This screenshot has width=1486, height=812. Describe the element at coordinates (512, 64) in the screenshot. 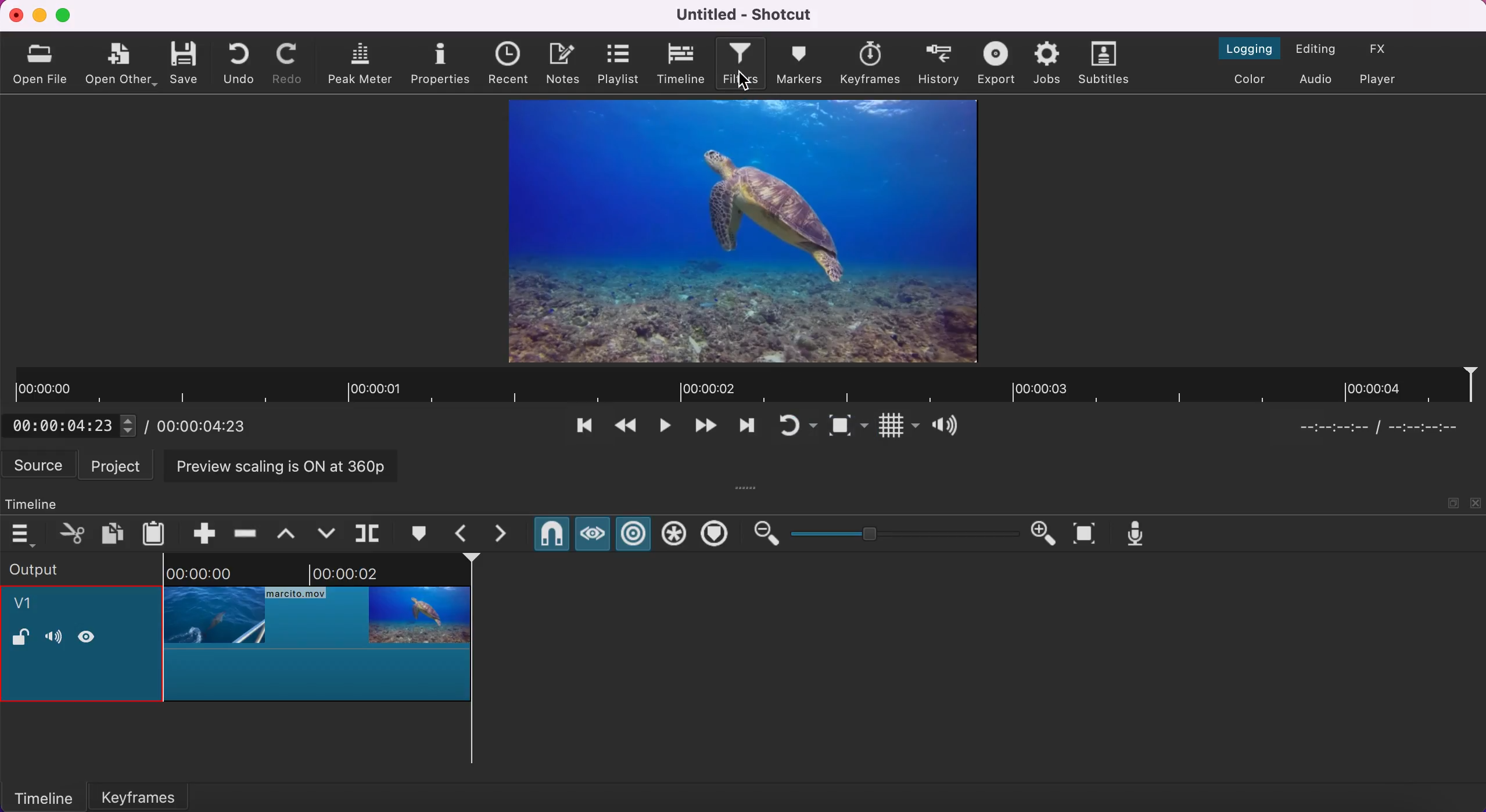

I see `recent` at that location.